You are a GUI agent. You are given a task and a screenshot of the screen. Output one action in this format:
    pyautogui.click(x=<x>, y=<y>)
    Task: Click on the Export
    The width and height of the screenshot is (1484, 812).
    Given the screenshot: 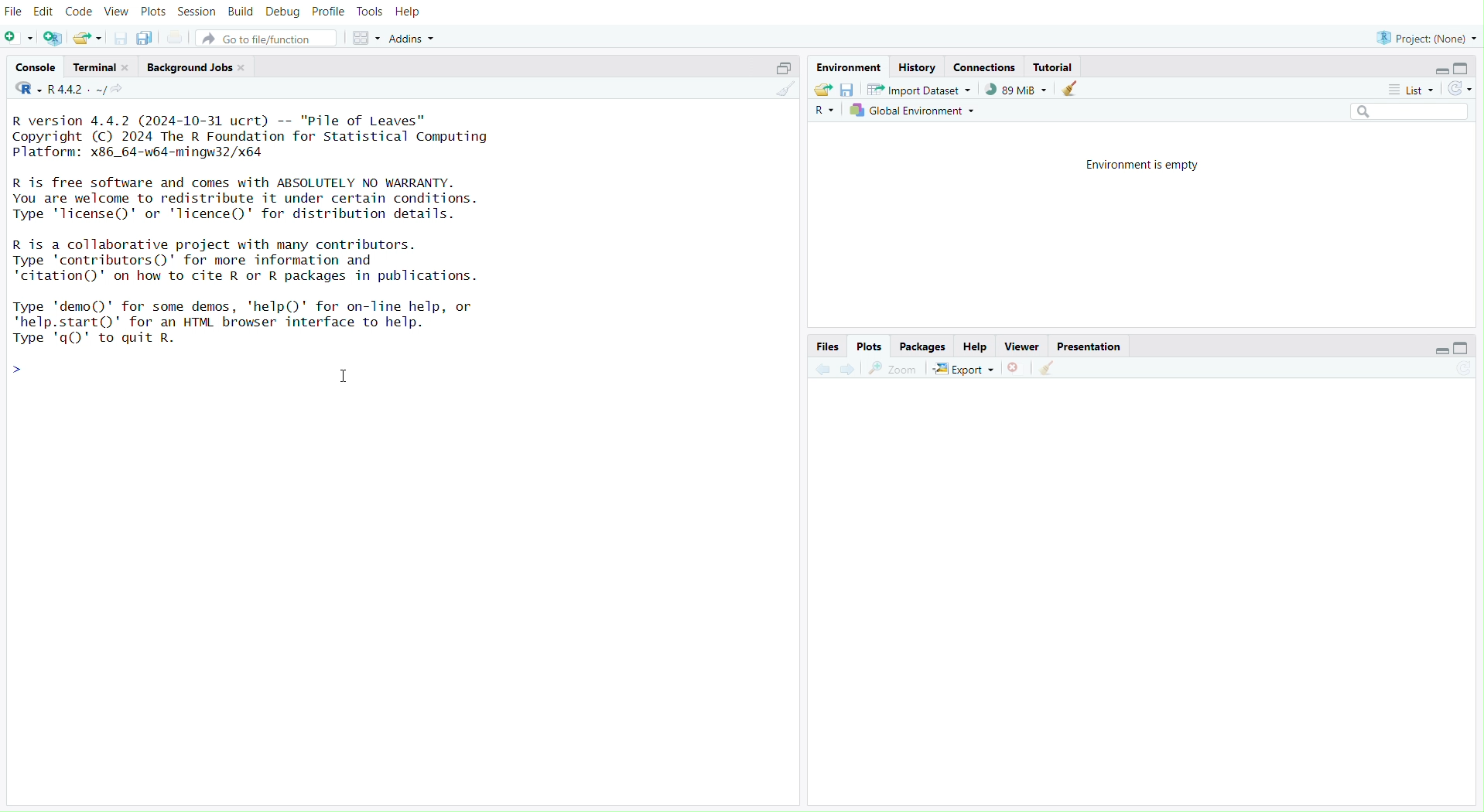 What is the action you would take?
    pyautogui.click(x=969, y=368)
    